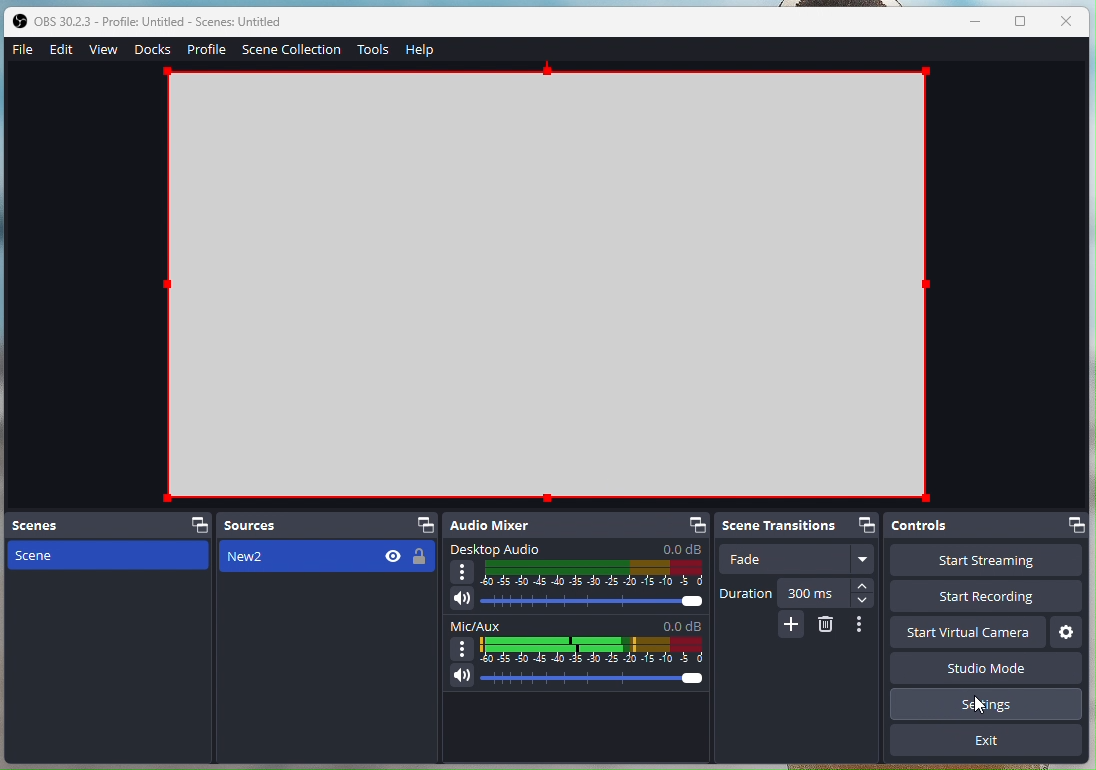 The height and width of the screenshot is (770, 1096). I want to click on Microphone, so click(459, 676).